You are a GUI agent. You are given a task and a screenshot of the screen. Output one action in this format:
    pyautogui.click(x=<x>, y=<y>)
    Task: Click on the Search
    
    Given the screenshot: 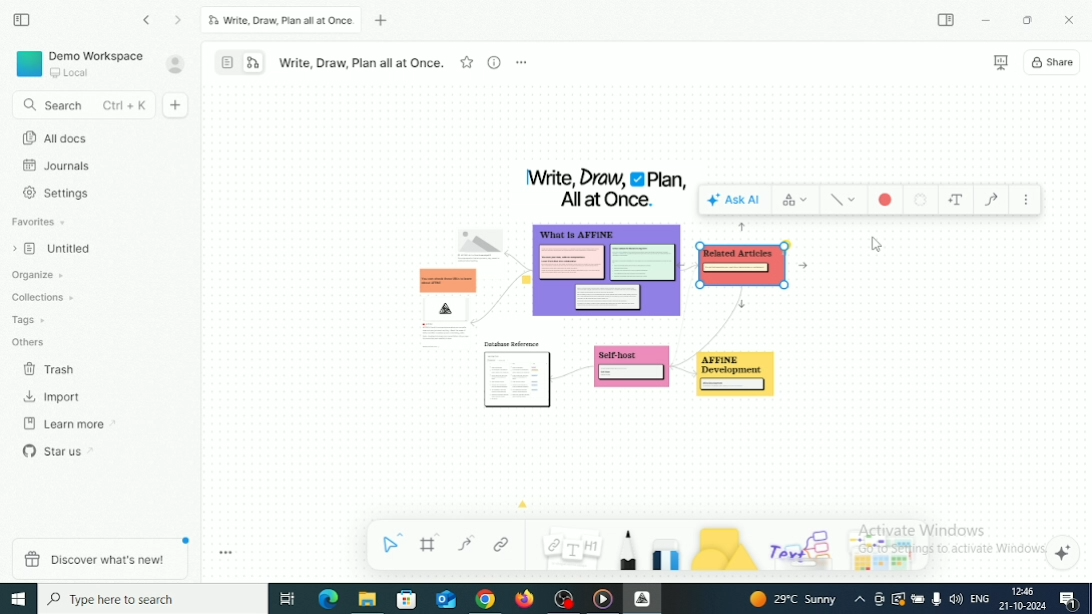 What is the action you would take?
    pyautogui.click(x=81, y=106)
    